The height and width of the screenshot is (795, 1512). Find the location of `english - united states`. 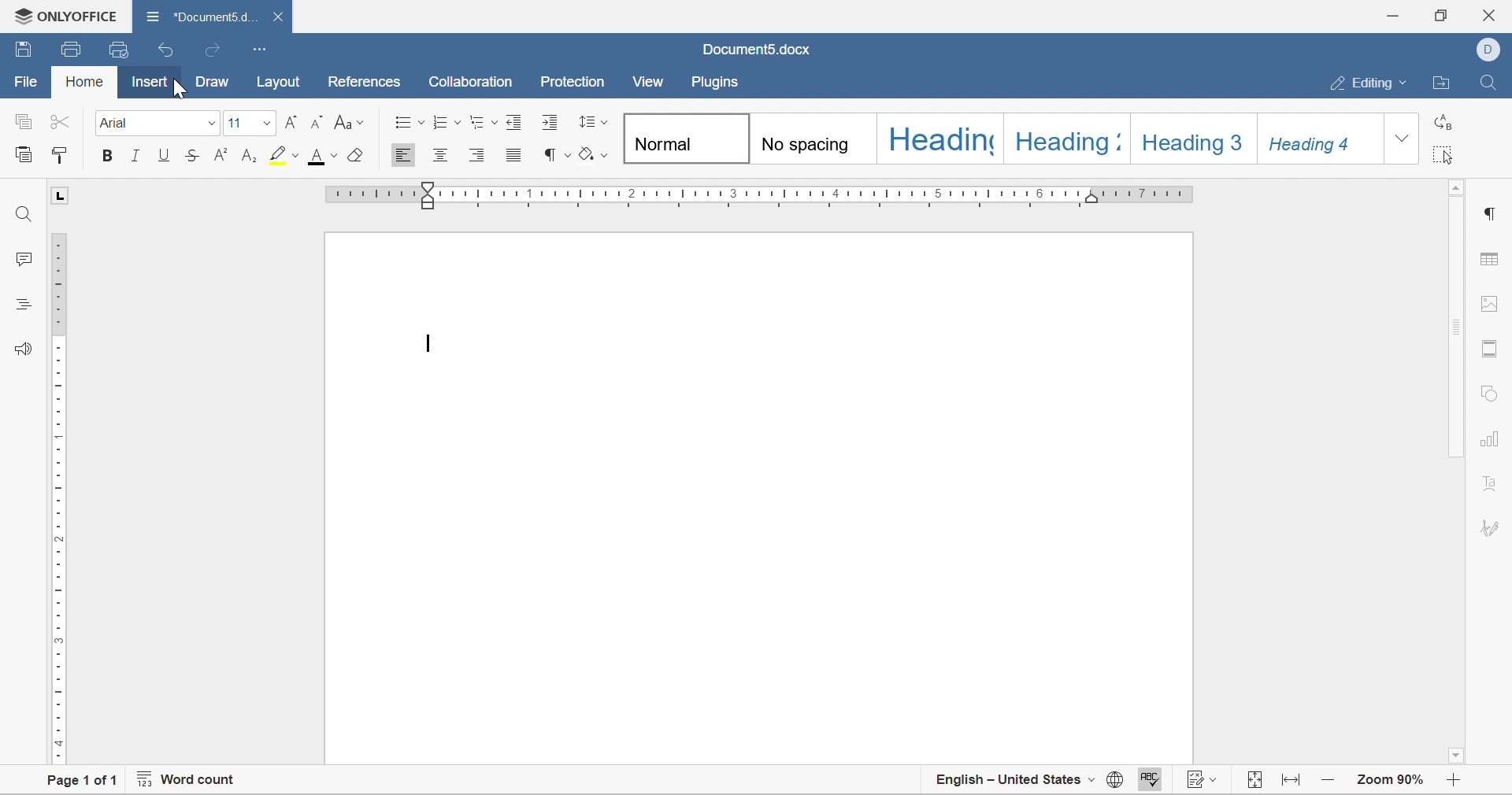

english - united states is located at coordinates (1015, 778).